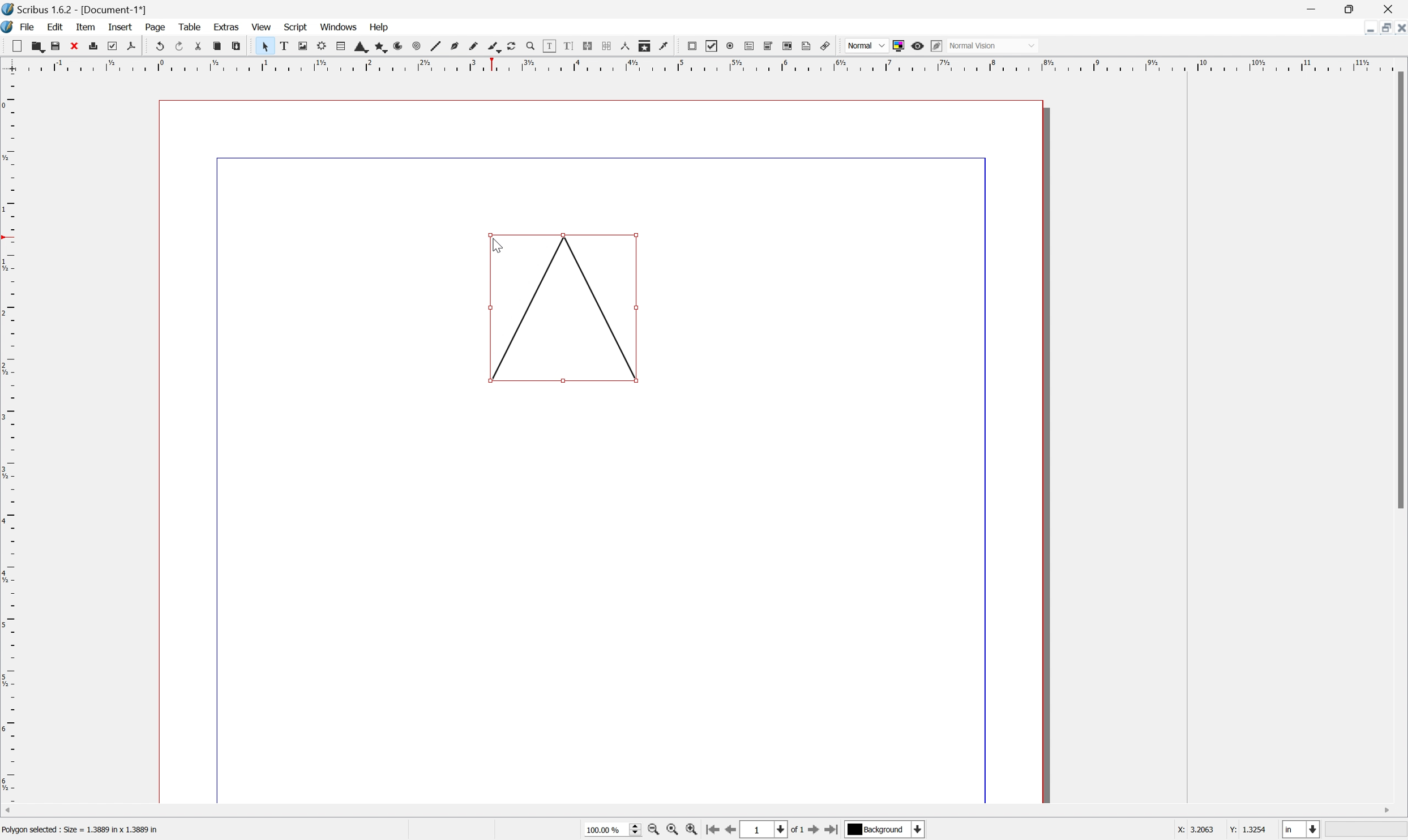  I want to click on Minimize, so click(1368, 28).